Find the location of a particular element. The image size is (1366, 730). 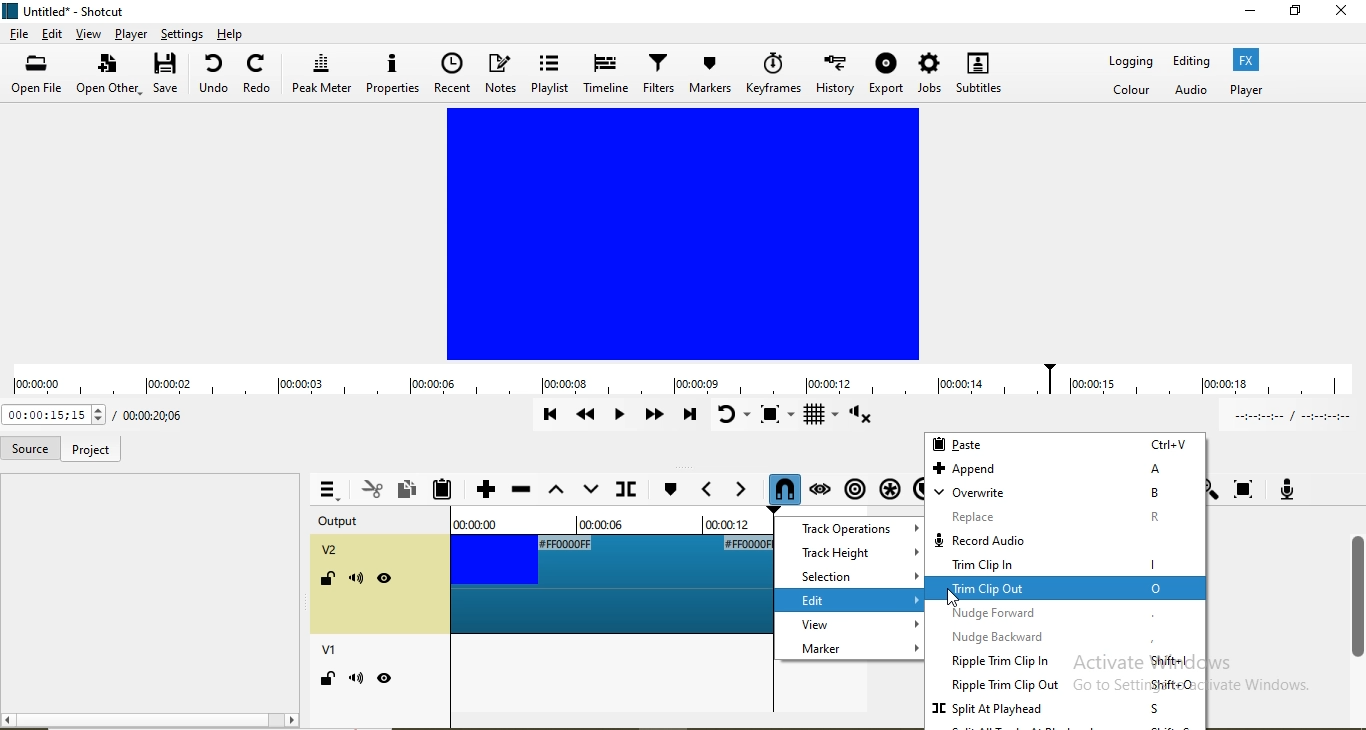

lock is located at coordinates (326, 581).